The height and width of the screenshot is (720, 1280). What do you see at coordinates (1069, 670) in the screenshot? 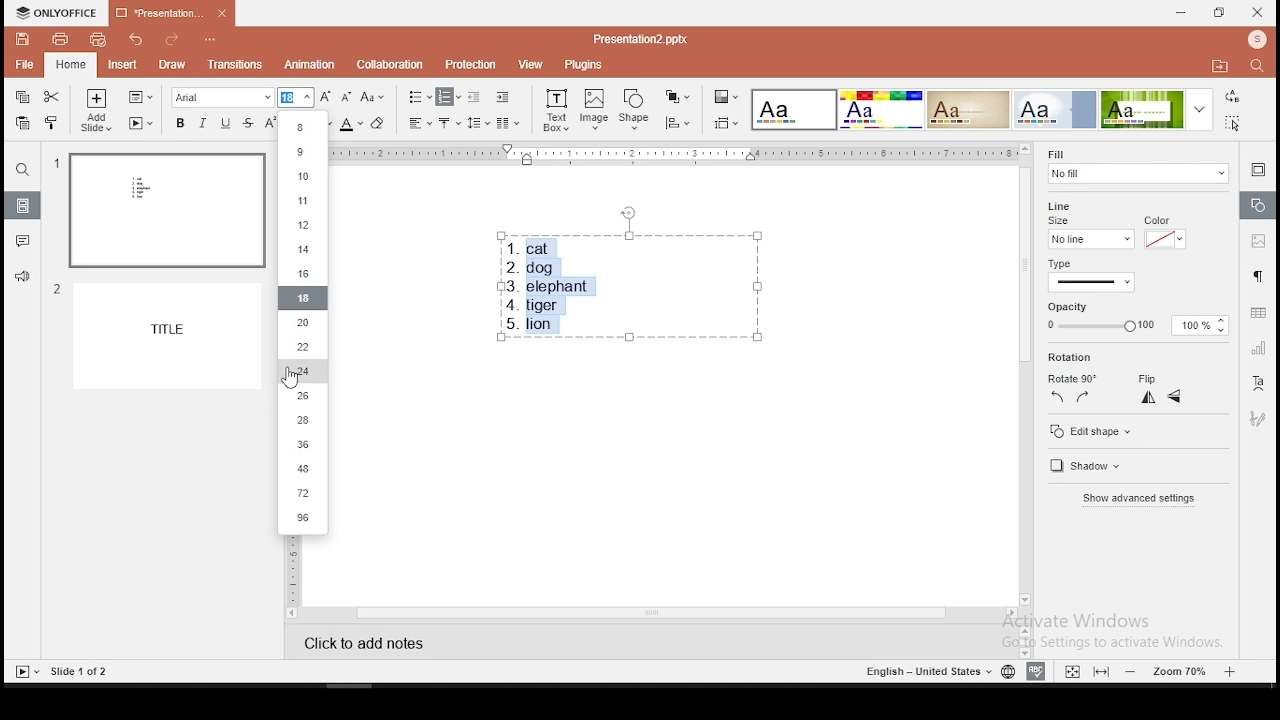
I see `fit to width` at bounding box center [1069, 670].